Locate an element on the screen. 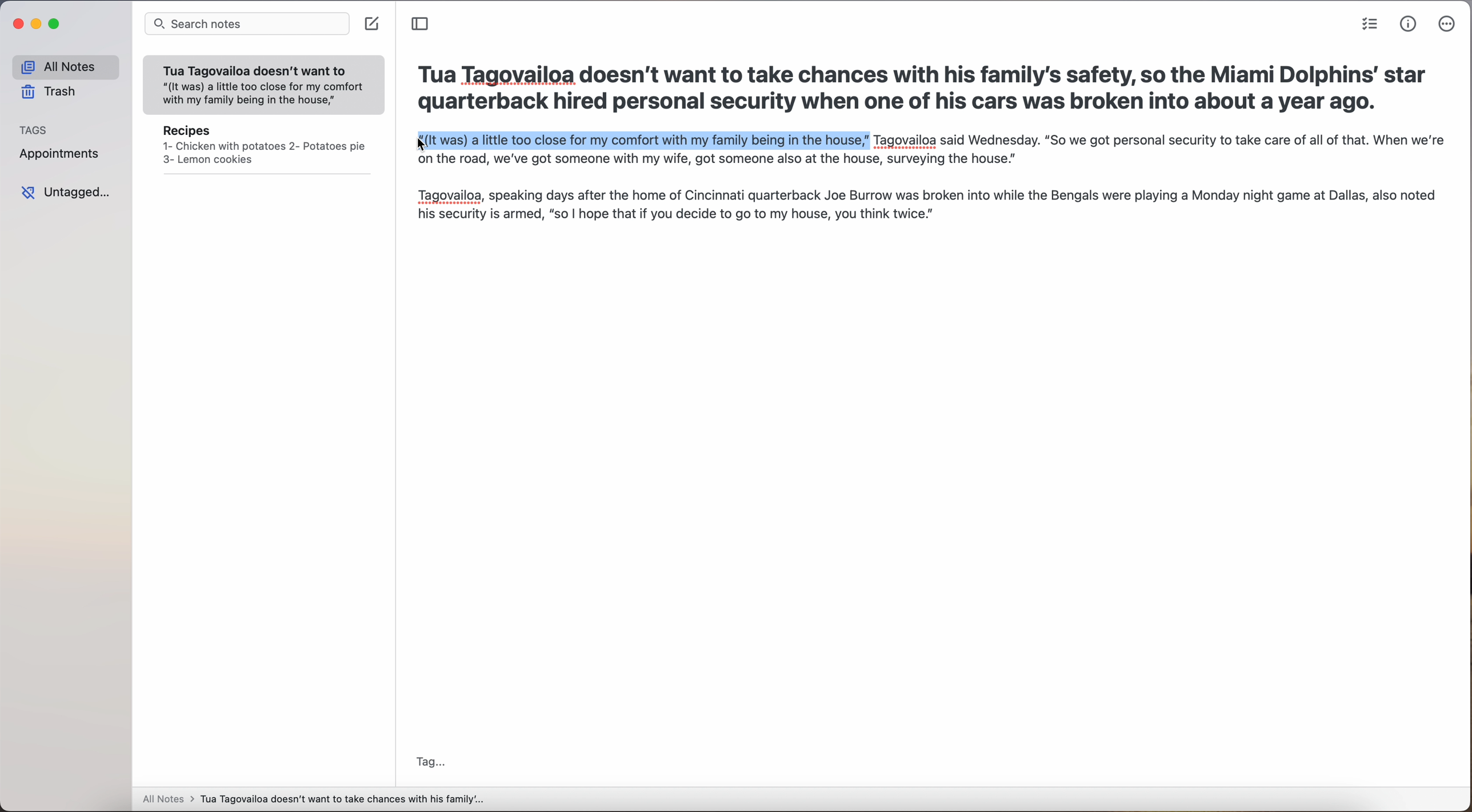 The width and height of the screenshot is (1472, 812). check list is located at coordinates (1370, 24).